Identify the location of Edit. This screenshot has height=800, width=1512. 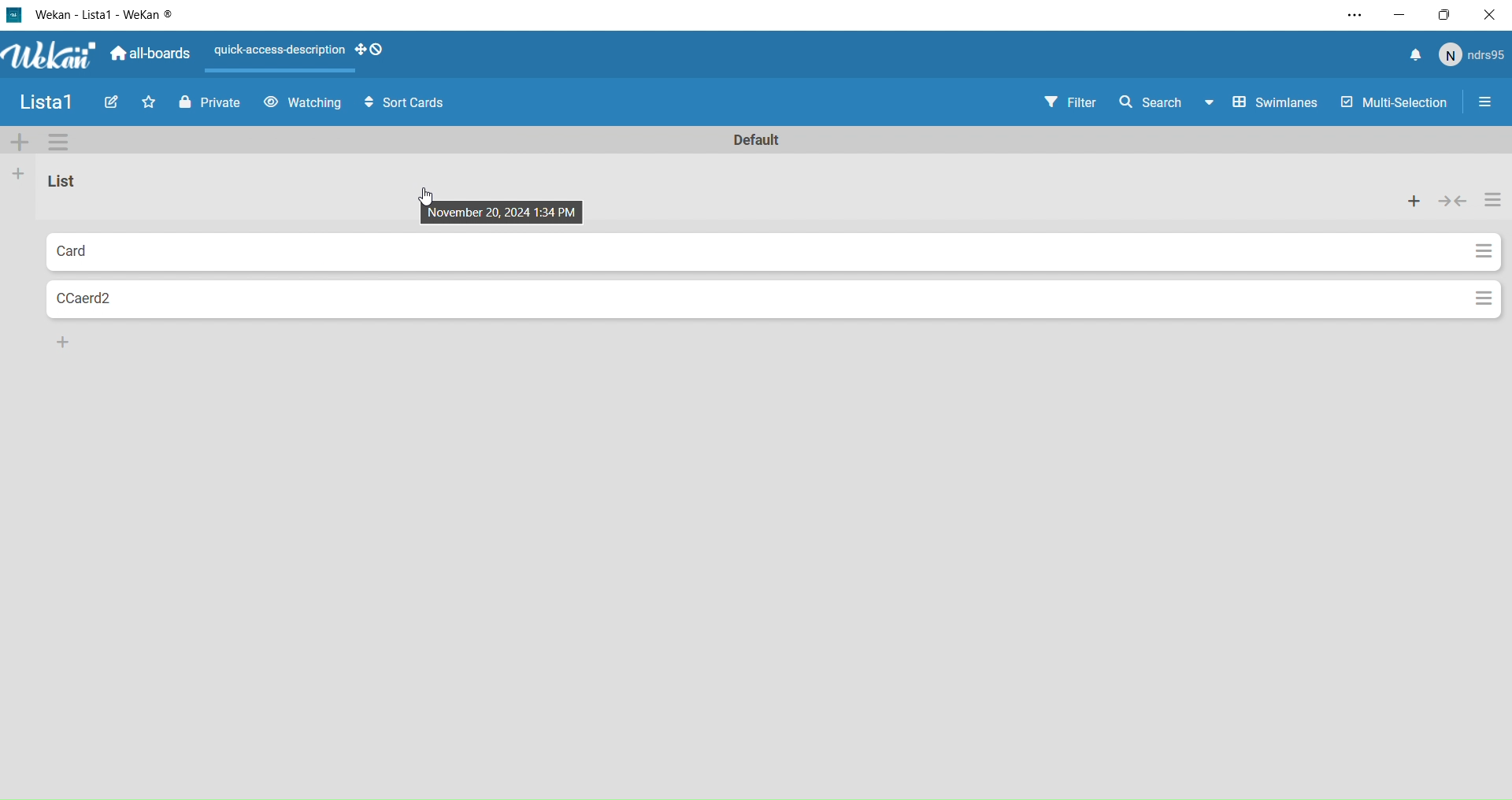
(111, 103).